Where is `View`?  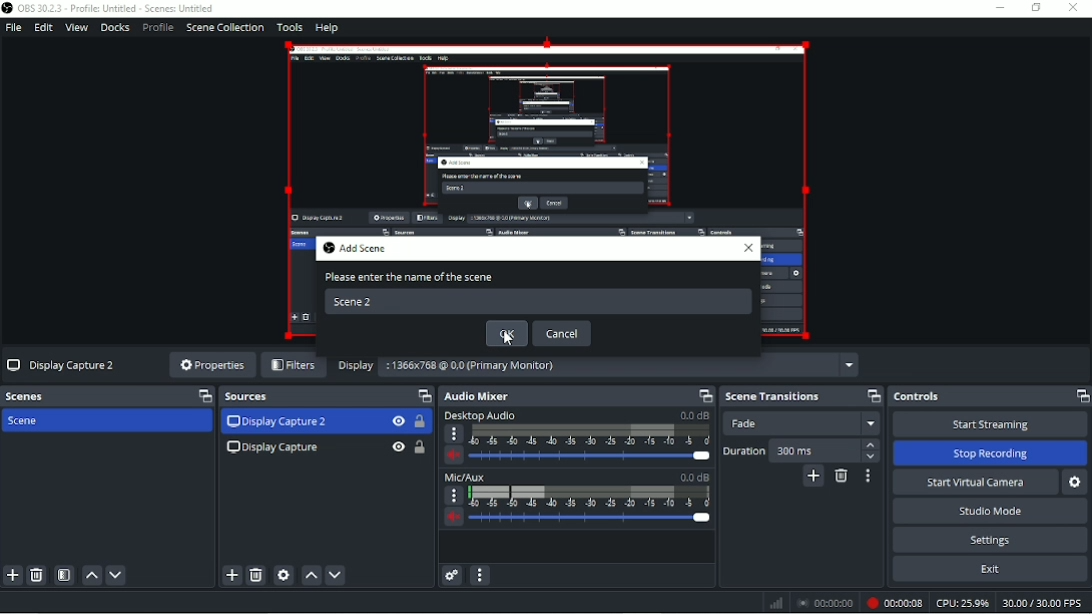
View is located at coordinates (76, 29).